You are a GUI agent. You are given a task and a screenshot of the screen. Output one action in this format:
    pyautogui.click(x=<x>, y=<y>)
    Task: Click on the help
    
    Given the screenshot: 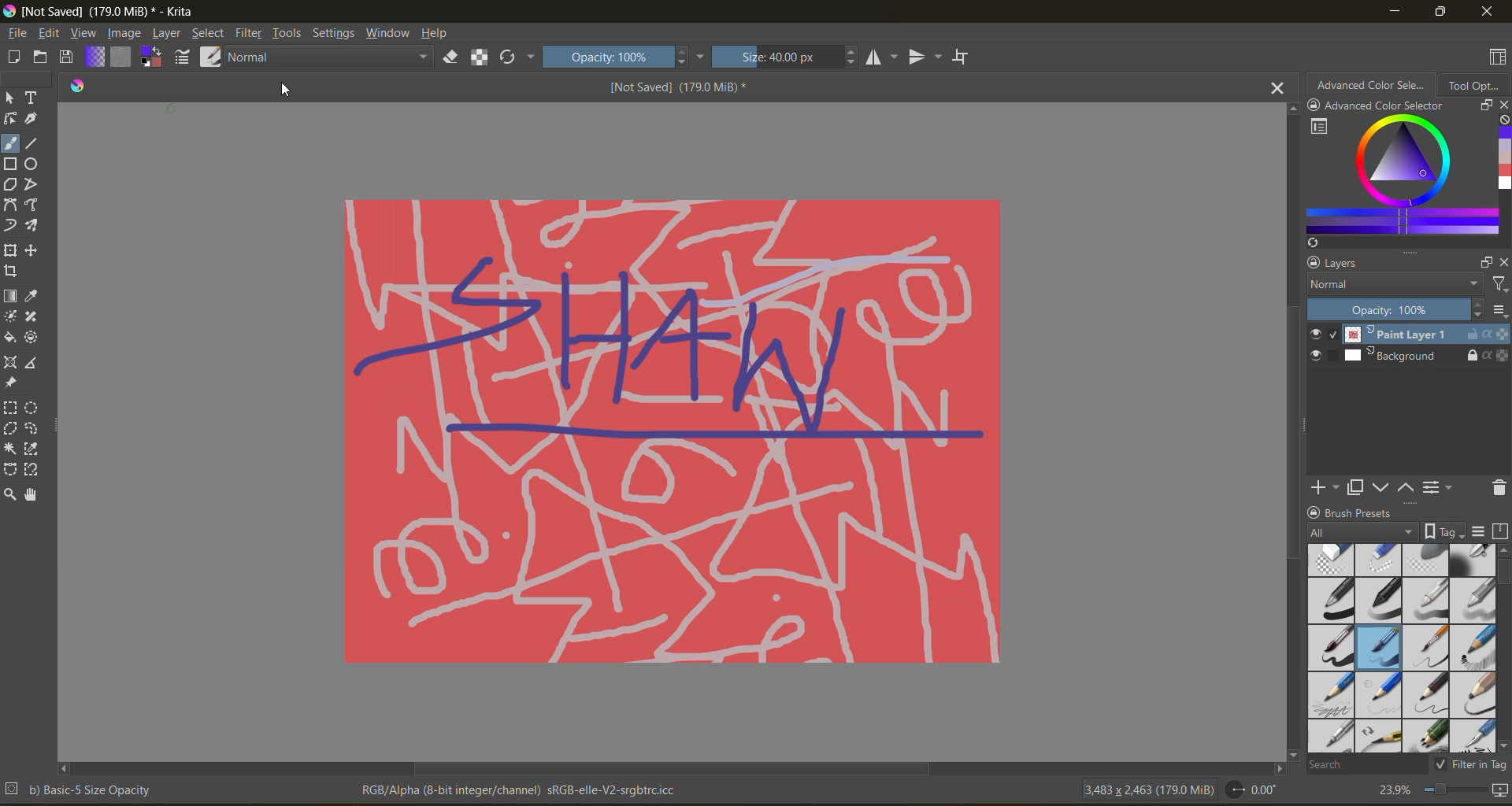 What is the action you would take?
    pyautogui.click(x=437, y=33)
    